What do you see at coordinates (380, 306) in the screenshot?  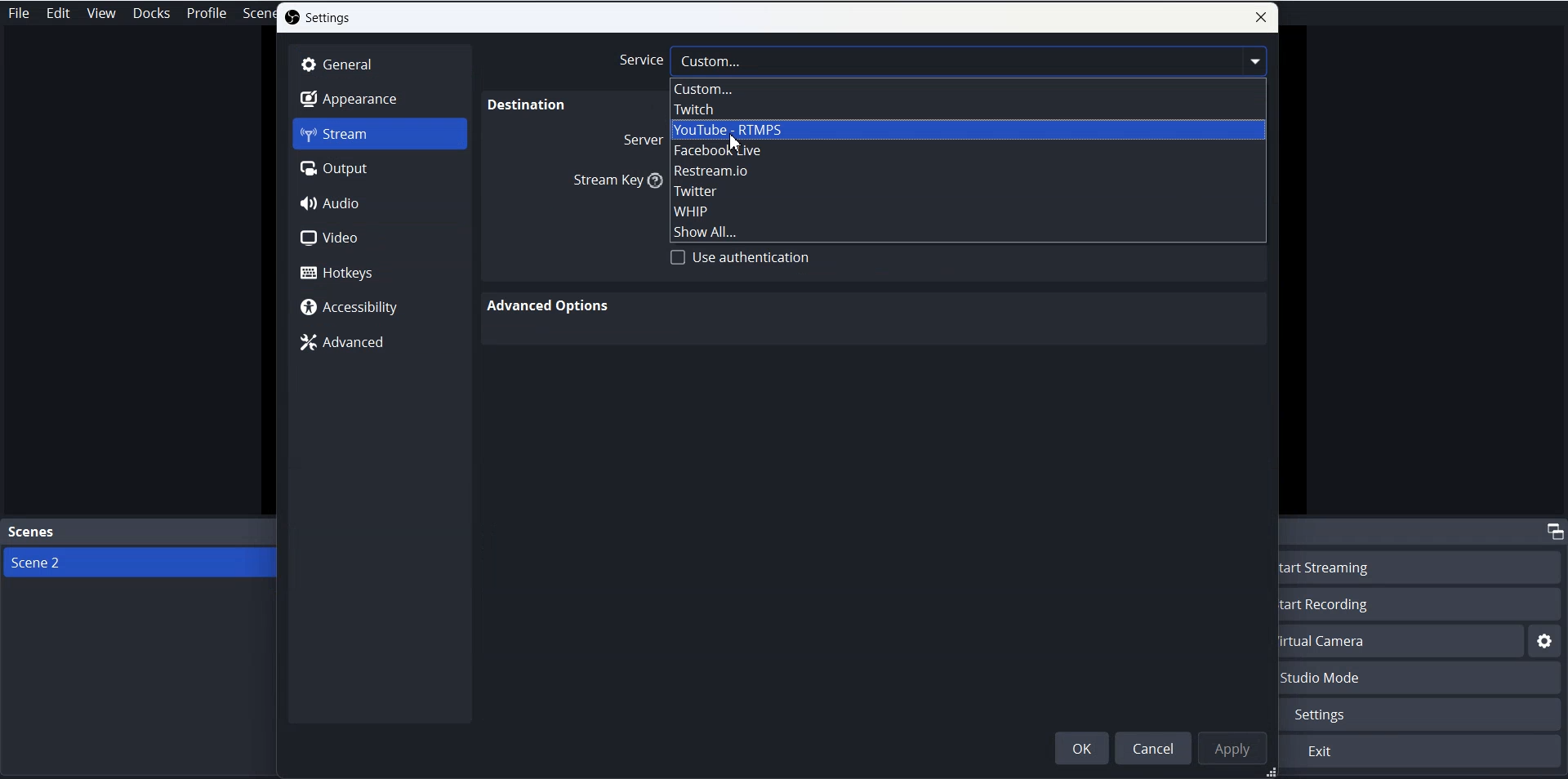 I see `Accessibility` at bounding box center [380, 306].